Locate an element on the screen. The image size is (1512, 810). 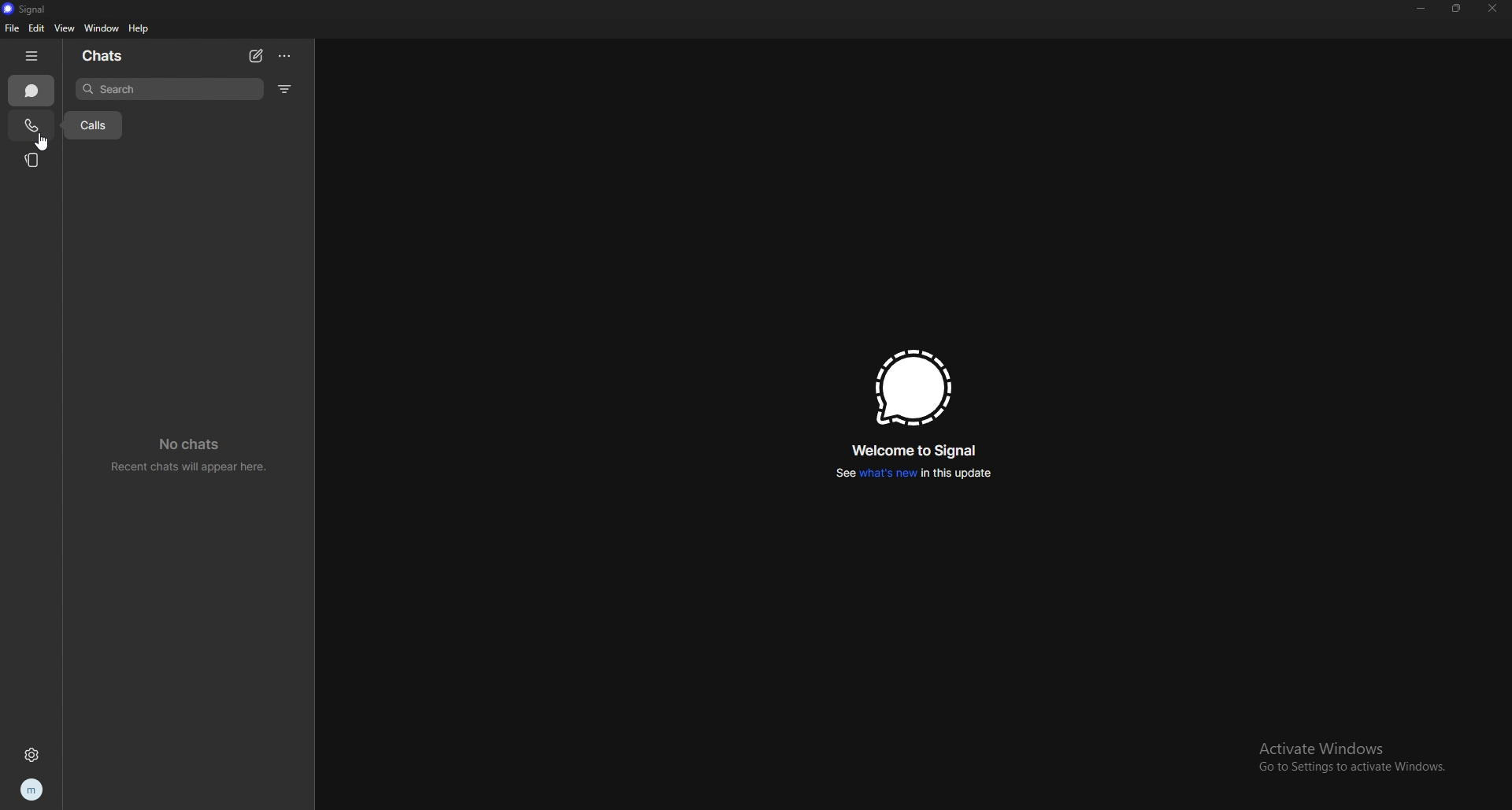
see whats new in this update is located at coordinates (913, 473).